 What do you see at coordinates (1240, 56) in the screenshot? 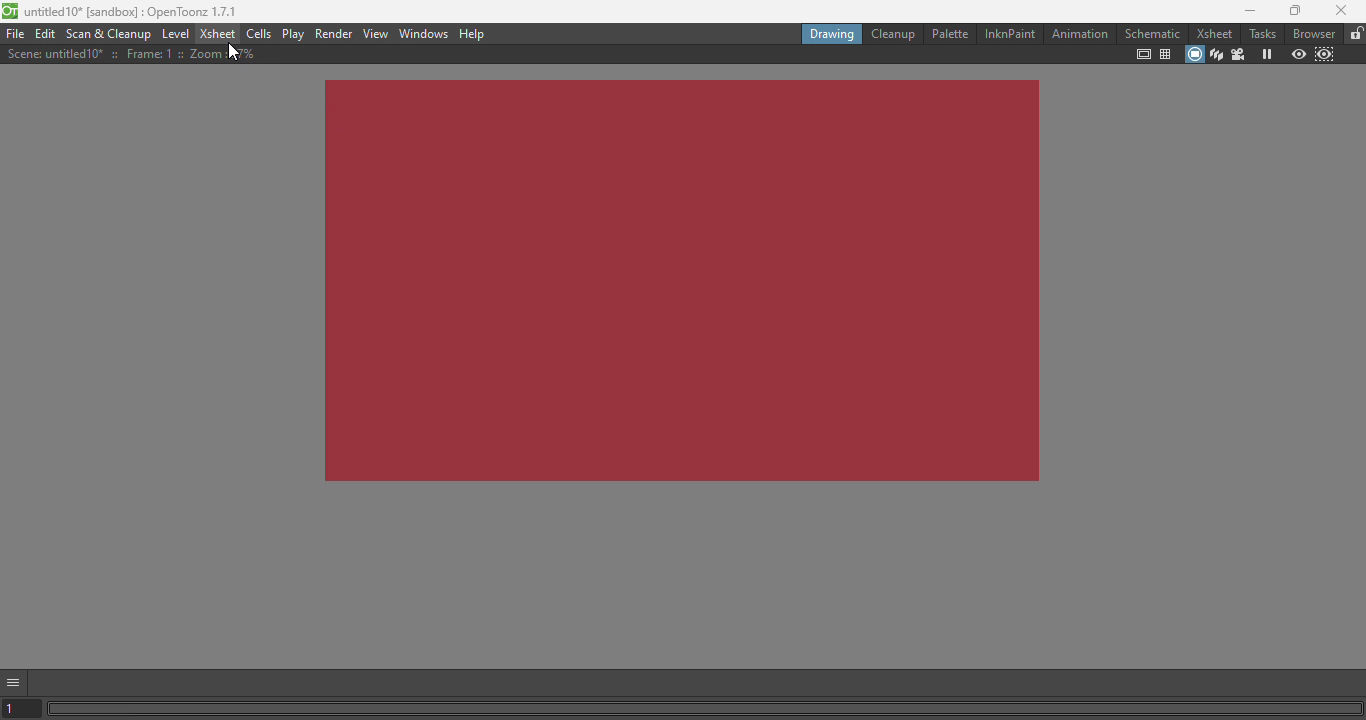
I see `Camera view` at bounding box center [1240, 56].